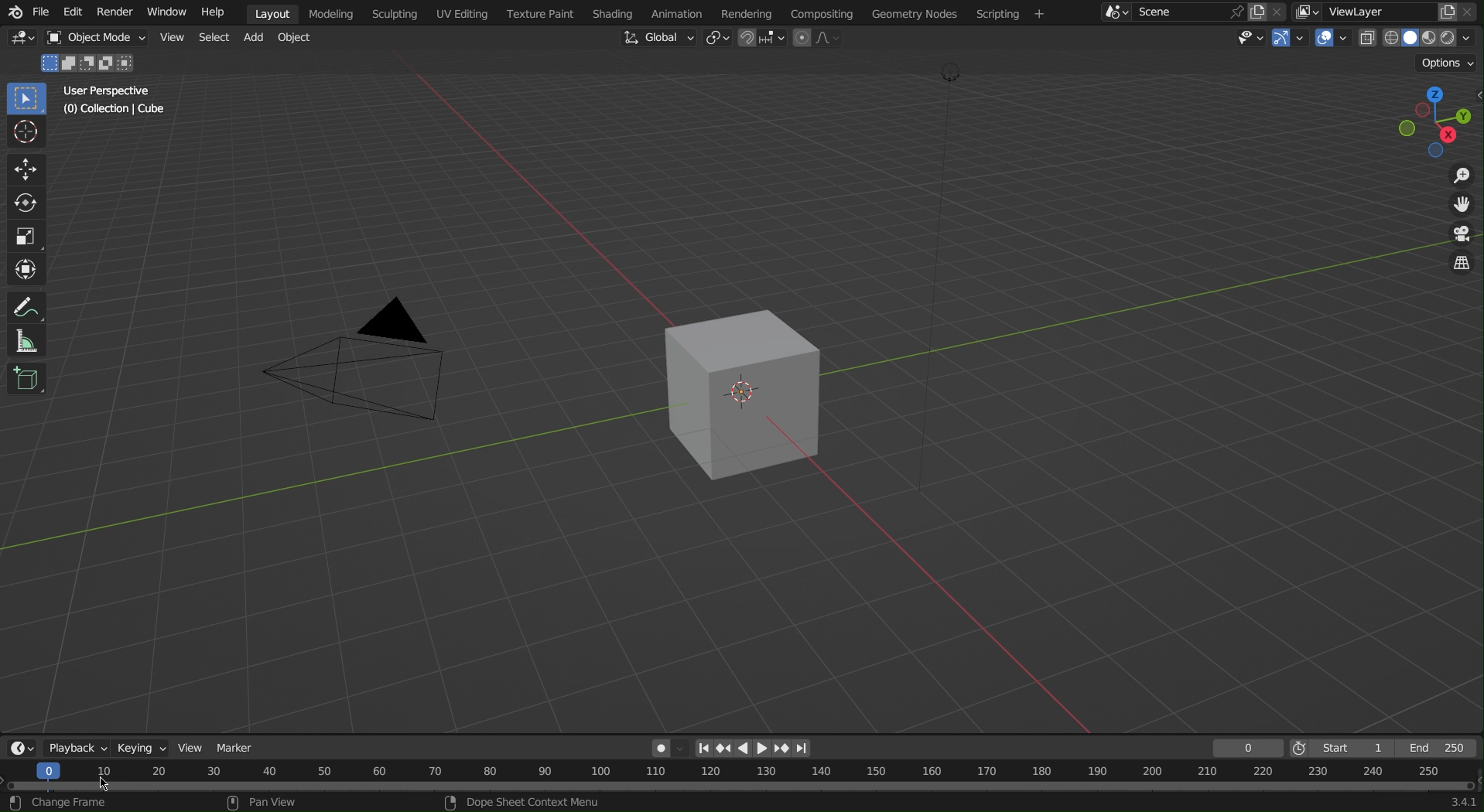 The height and width of the screenshot is (812, 1484). I want to click on blend logo, so click(14, 11).